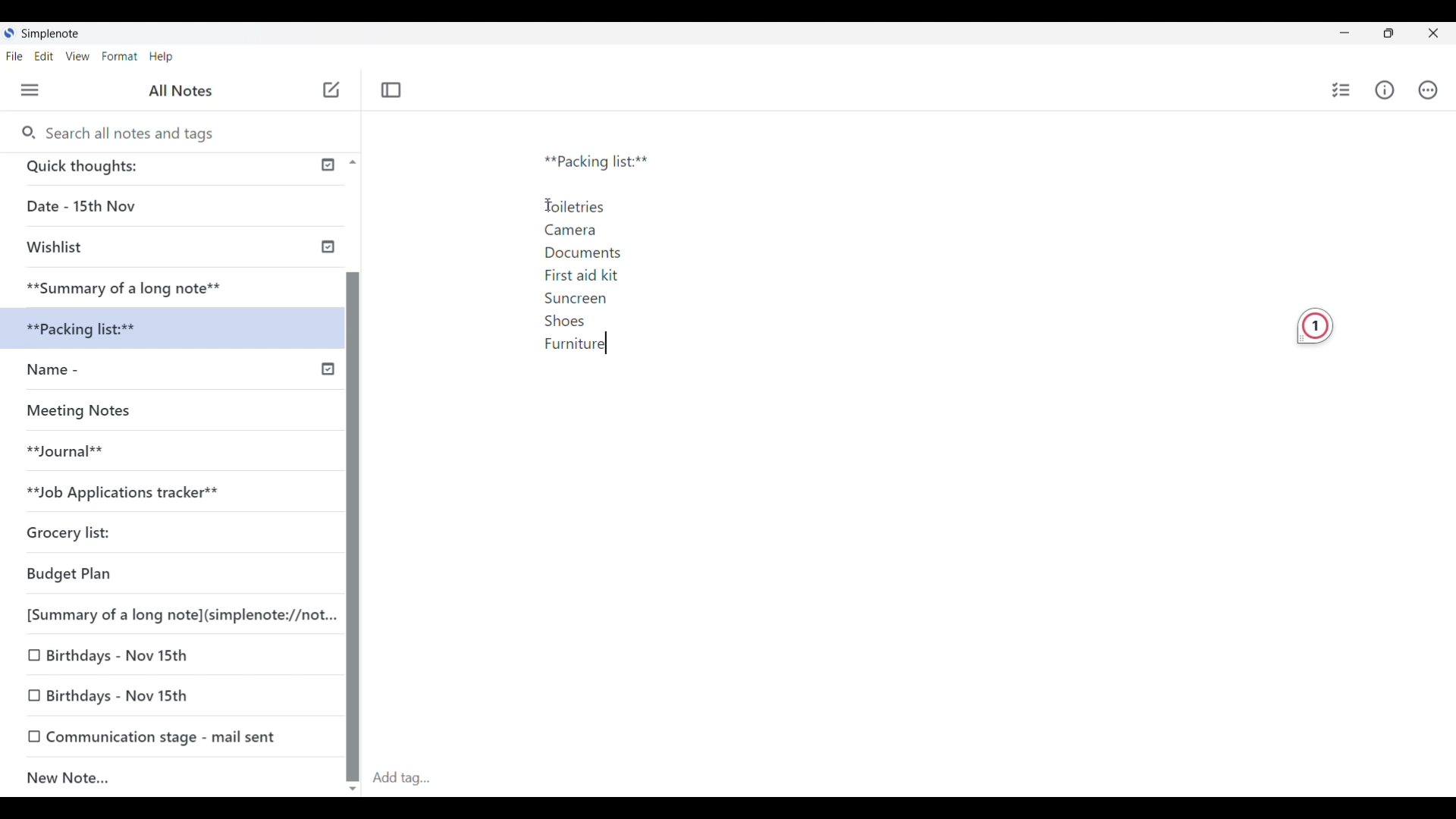  I want to click on Date - 15th Nov, so click(131, 206).